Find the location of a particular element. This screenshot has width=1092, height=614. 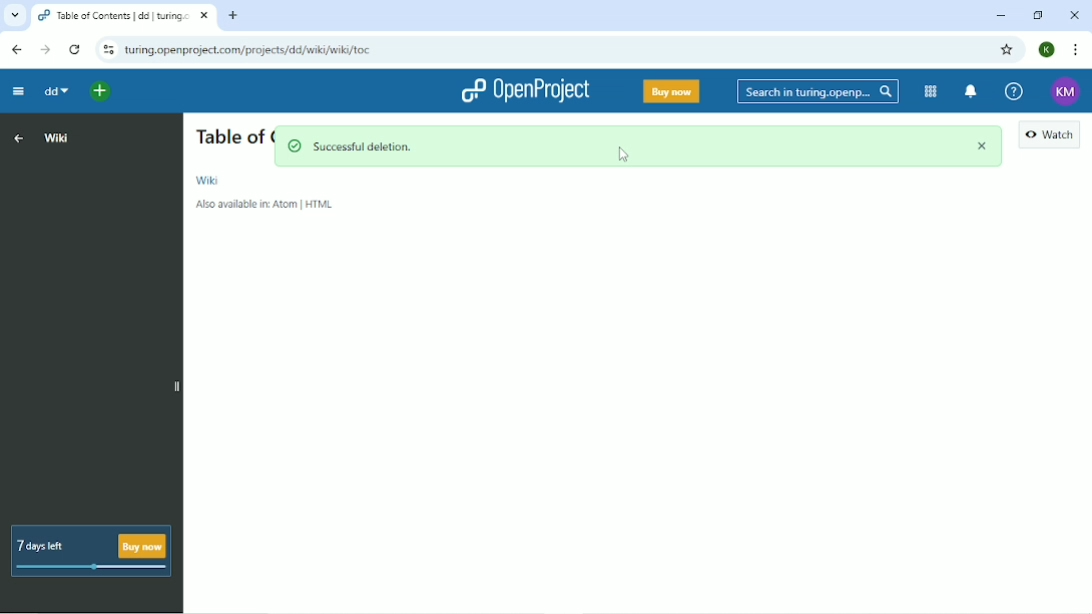

Wiki is located at coordinates (56, 138).